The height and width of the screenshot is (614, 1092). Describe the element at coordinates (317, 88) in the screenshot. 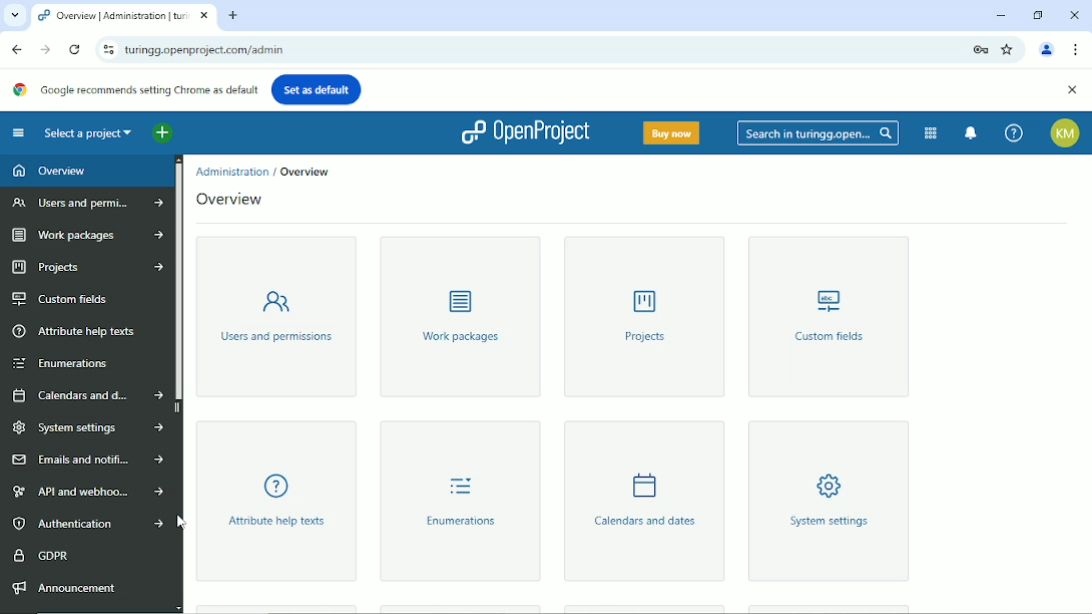

I see `Set as default ` at that location.